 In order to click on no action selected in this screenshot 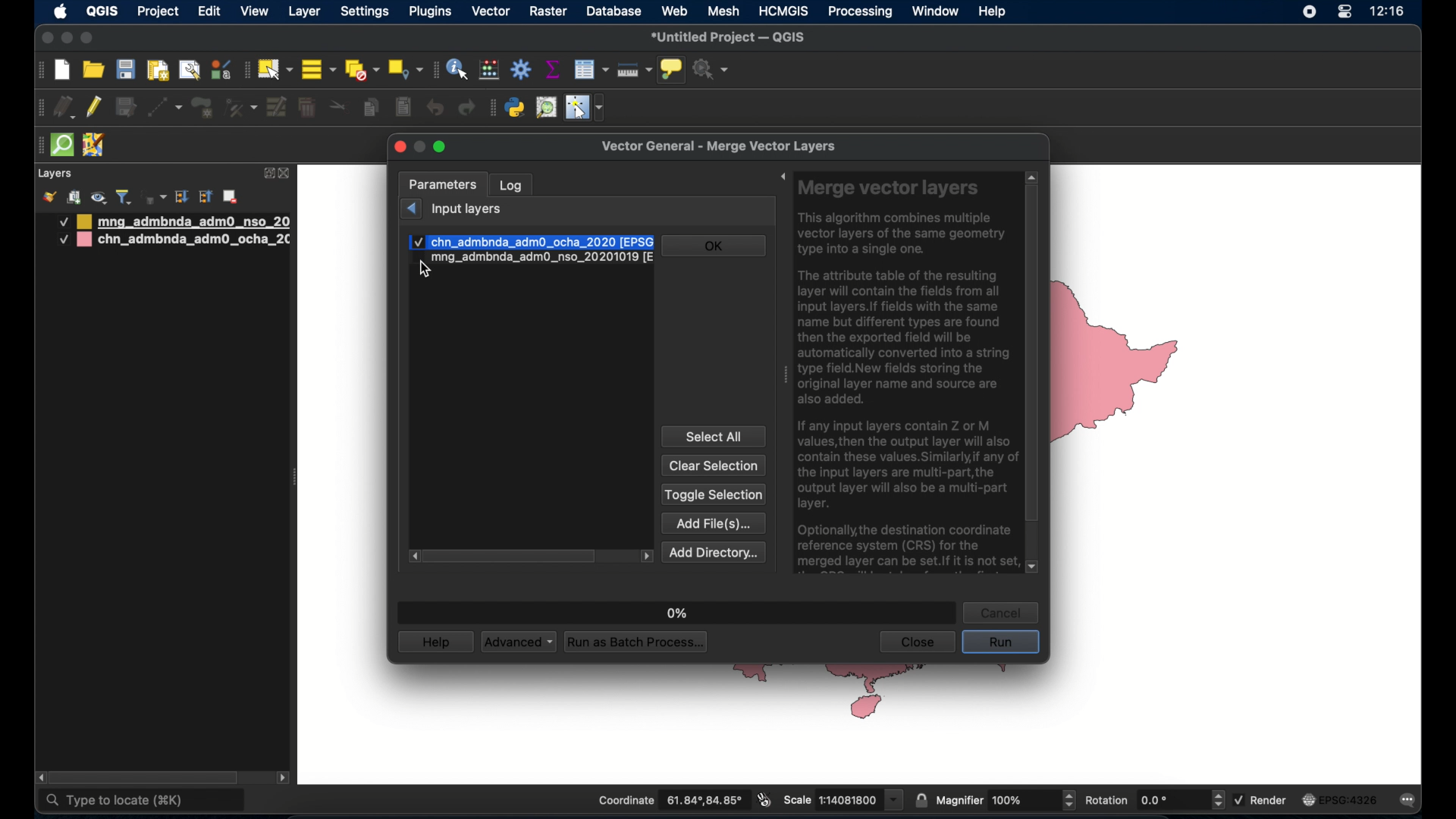, I will do `click(711, 70)`.